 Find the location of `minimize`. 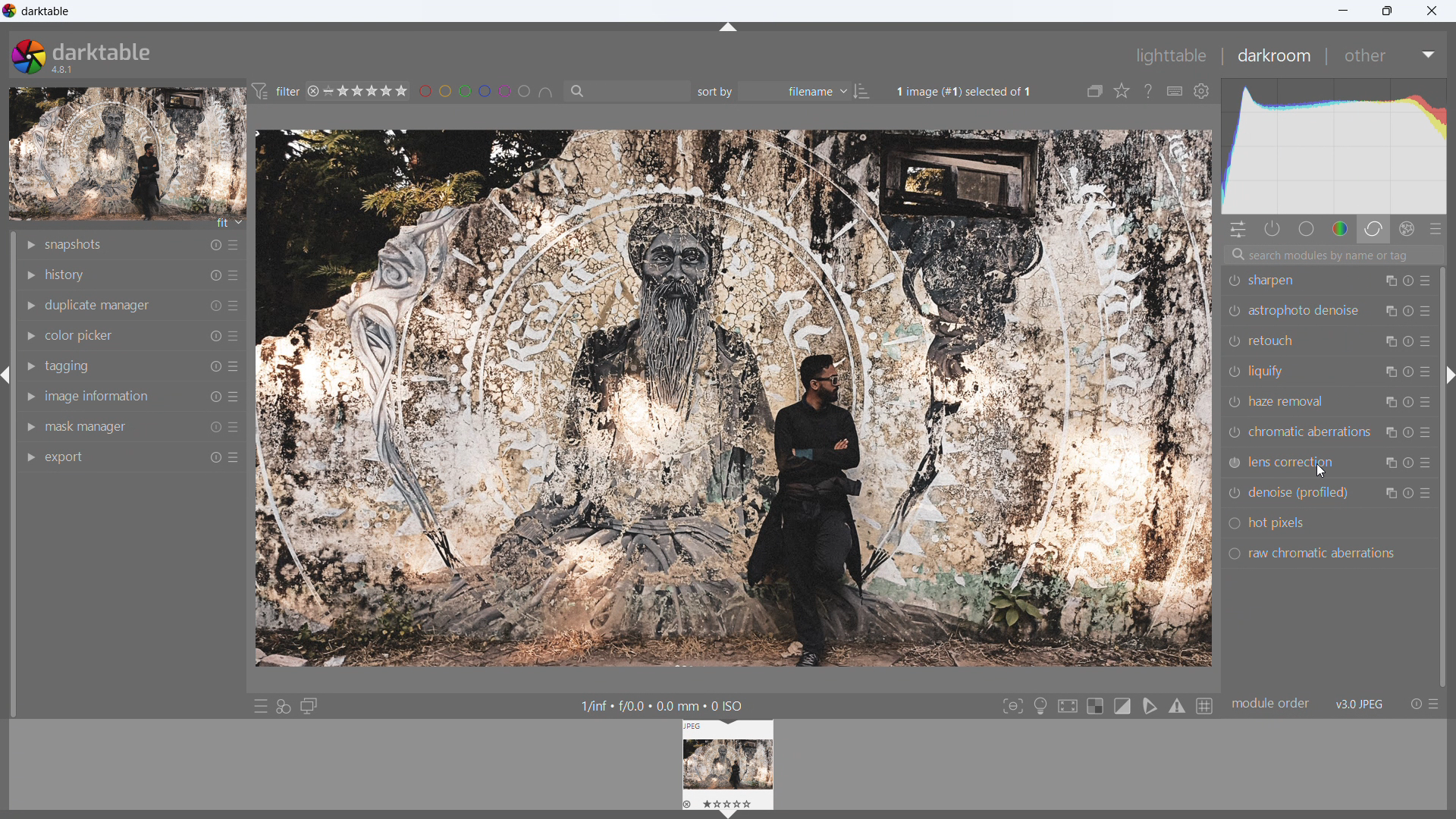

minimize is located at coordinates (1345, 11).